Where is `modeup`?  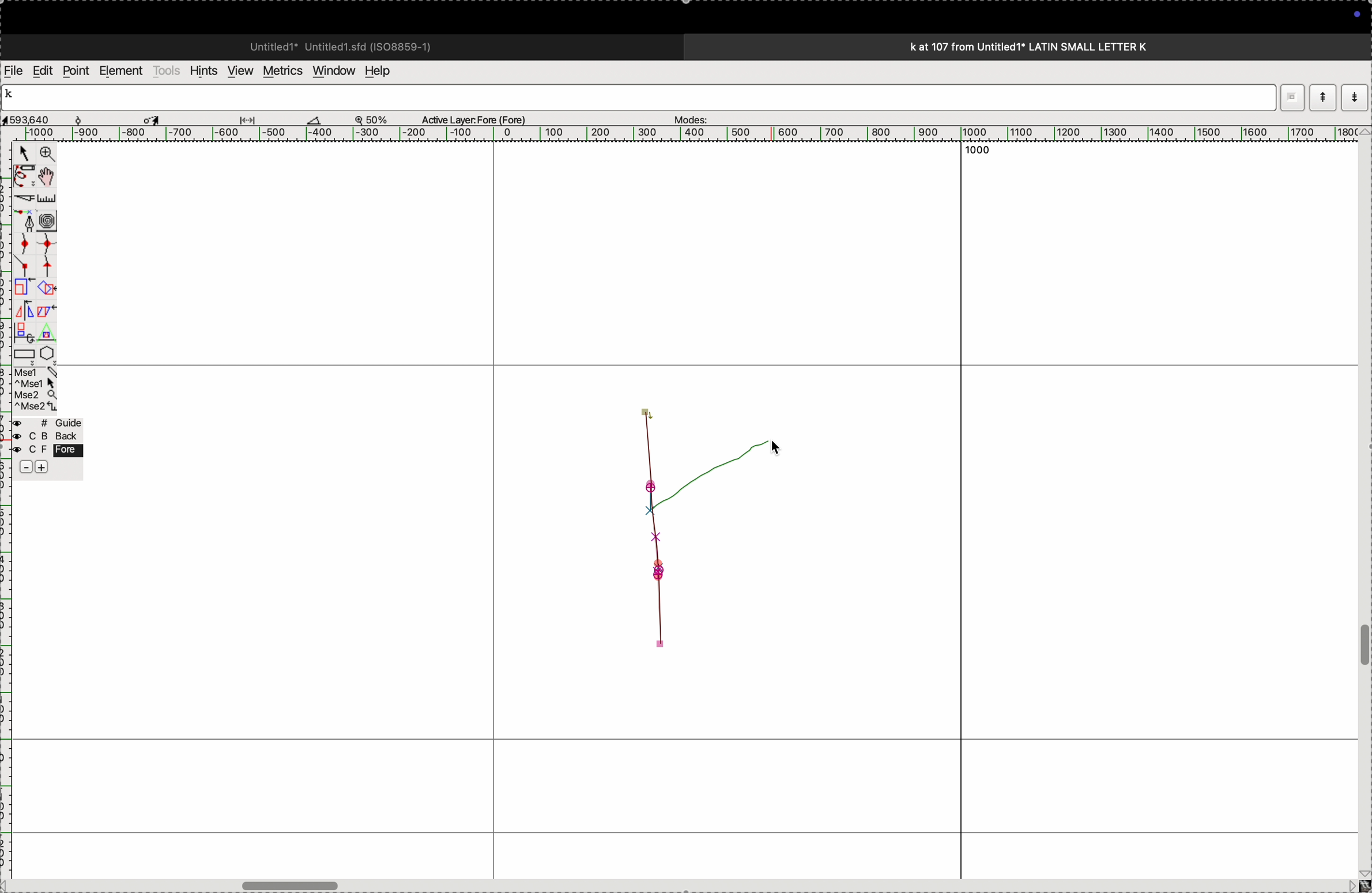
modeup is located at coordinates (1322, 97).